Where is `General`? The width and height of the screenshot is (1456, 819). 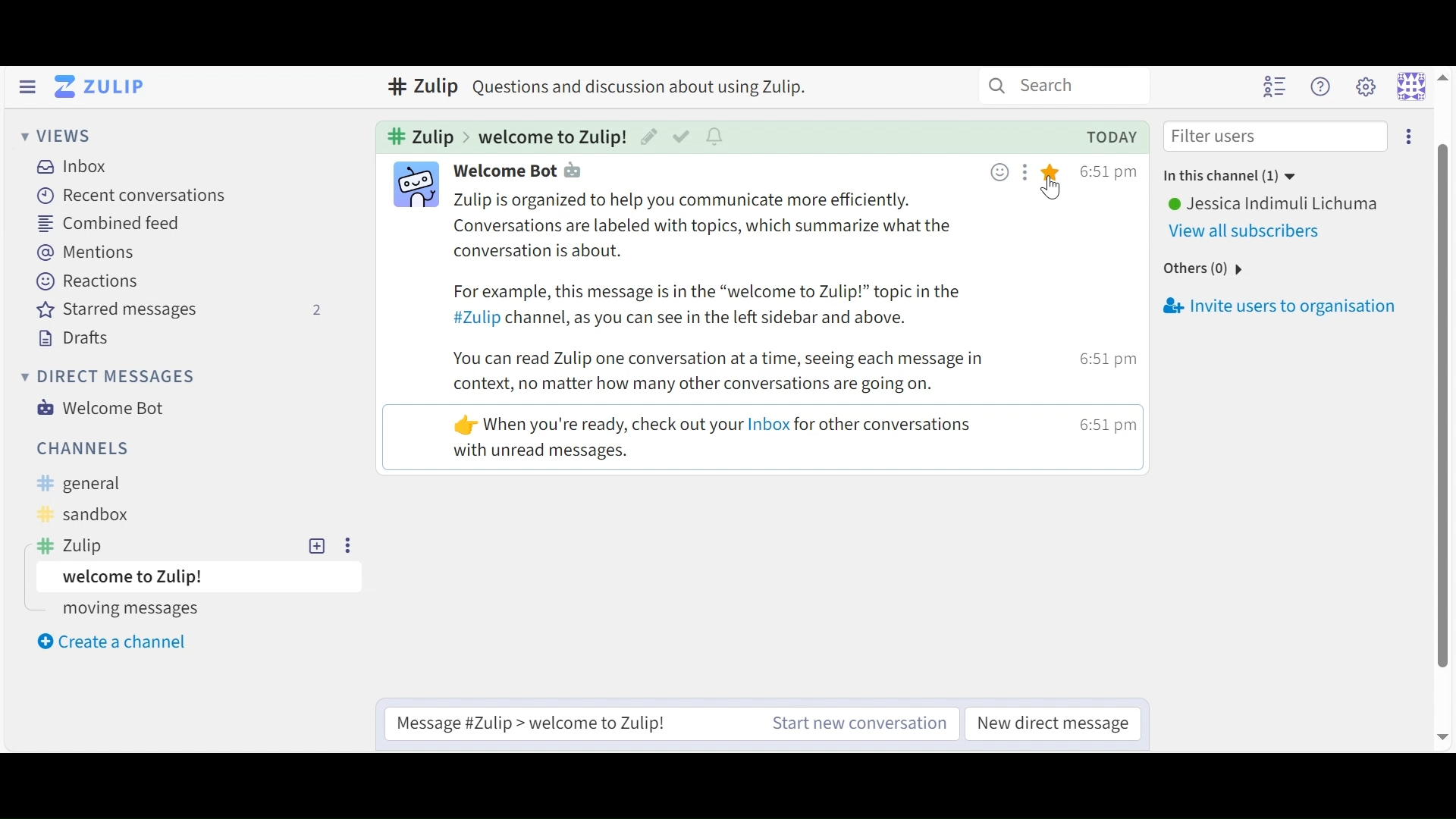 General is located at coordinates (80, 484).